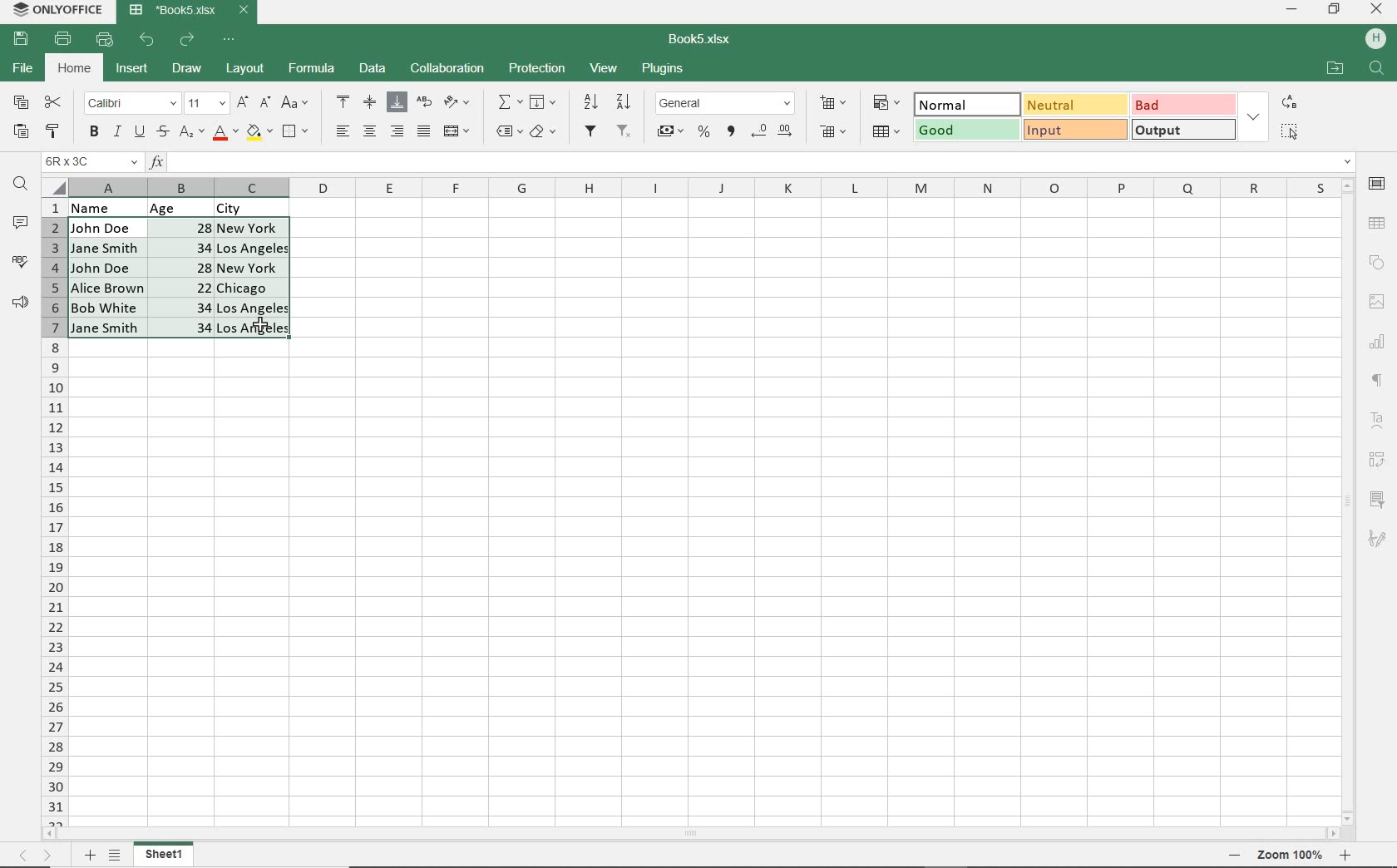 This screenshot has height=868, width=1397. What do you see at coordinates (887, 131) in the screenshot?
I see `FORMAT AS TABLE TEMPLATE` at bounding box center [887, 131].